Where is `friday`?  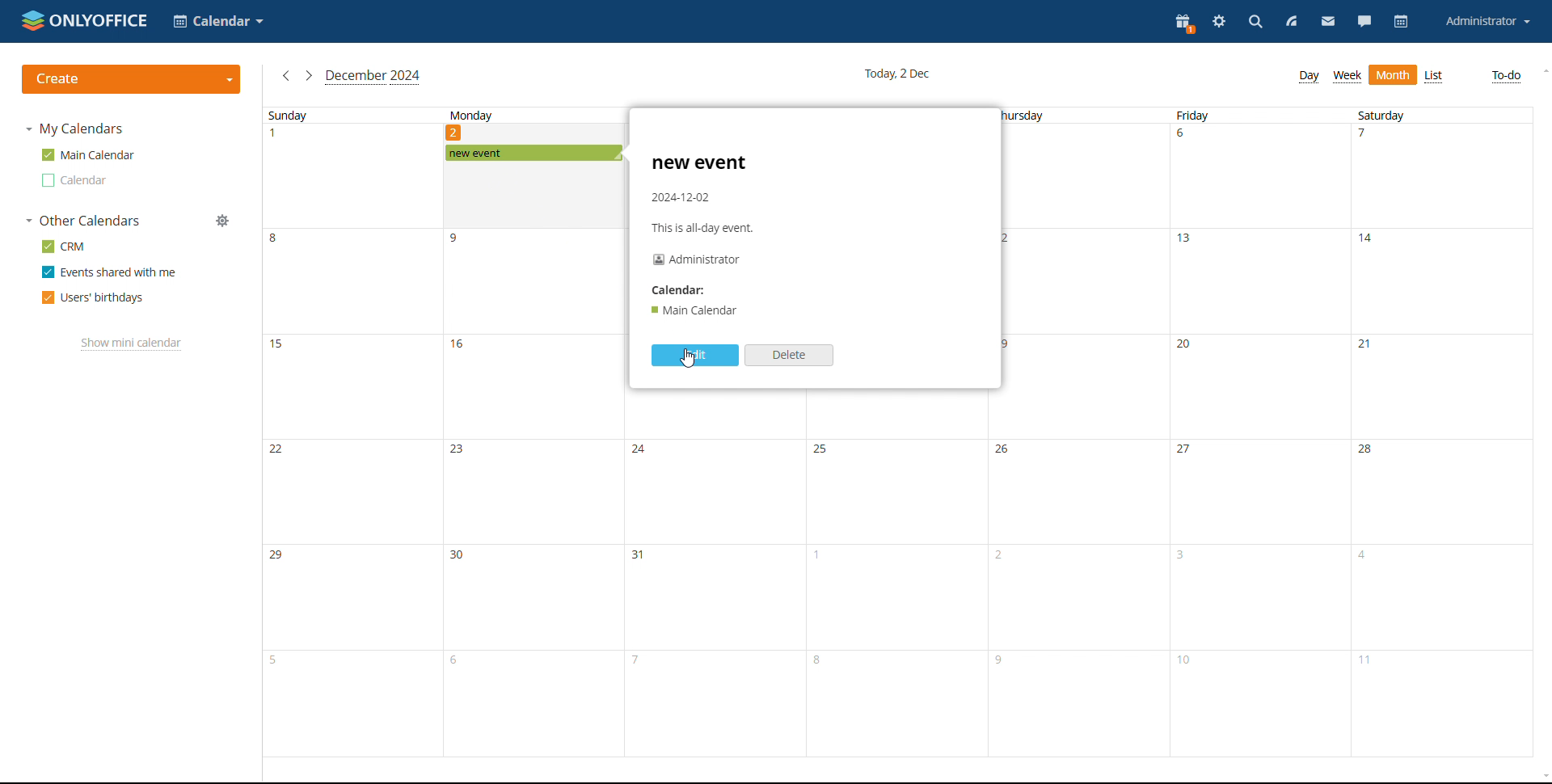
friday is located at coordinates (1260, 431).